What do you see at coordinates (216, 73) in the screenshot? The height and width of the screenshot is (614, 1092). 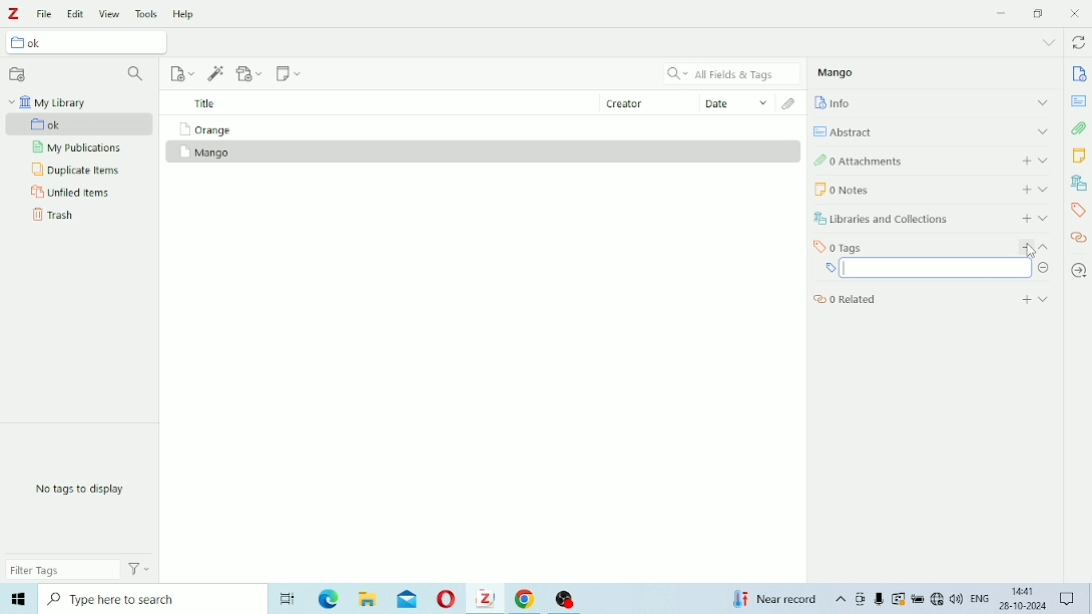 I see `Add Item (s) by Identifier` at bounding box center [216, 73].